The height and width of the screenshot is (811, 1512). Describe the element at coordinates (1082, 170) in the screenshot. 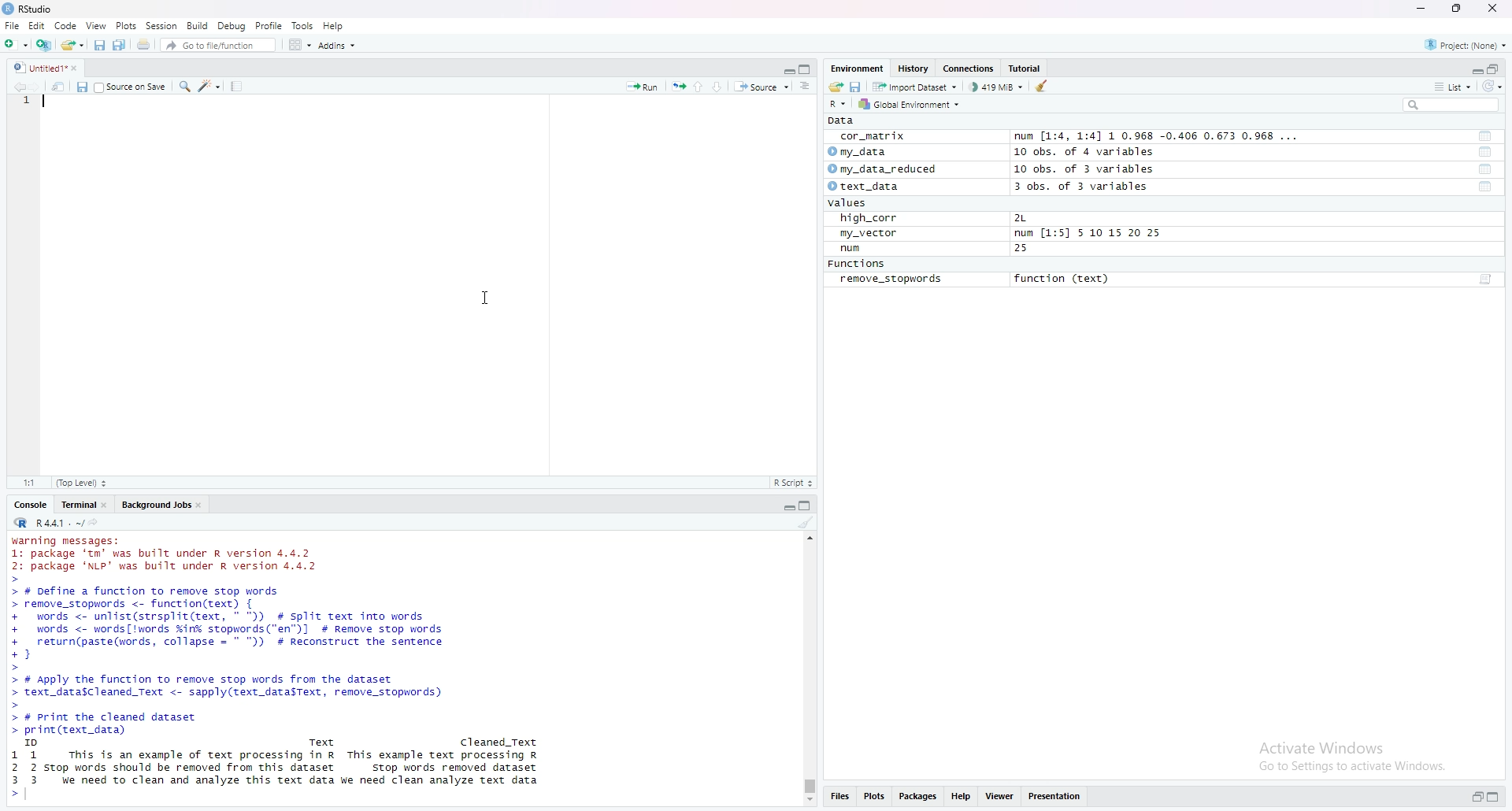

I see `10 obs. of 3 variables` at that location.